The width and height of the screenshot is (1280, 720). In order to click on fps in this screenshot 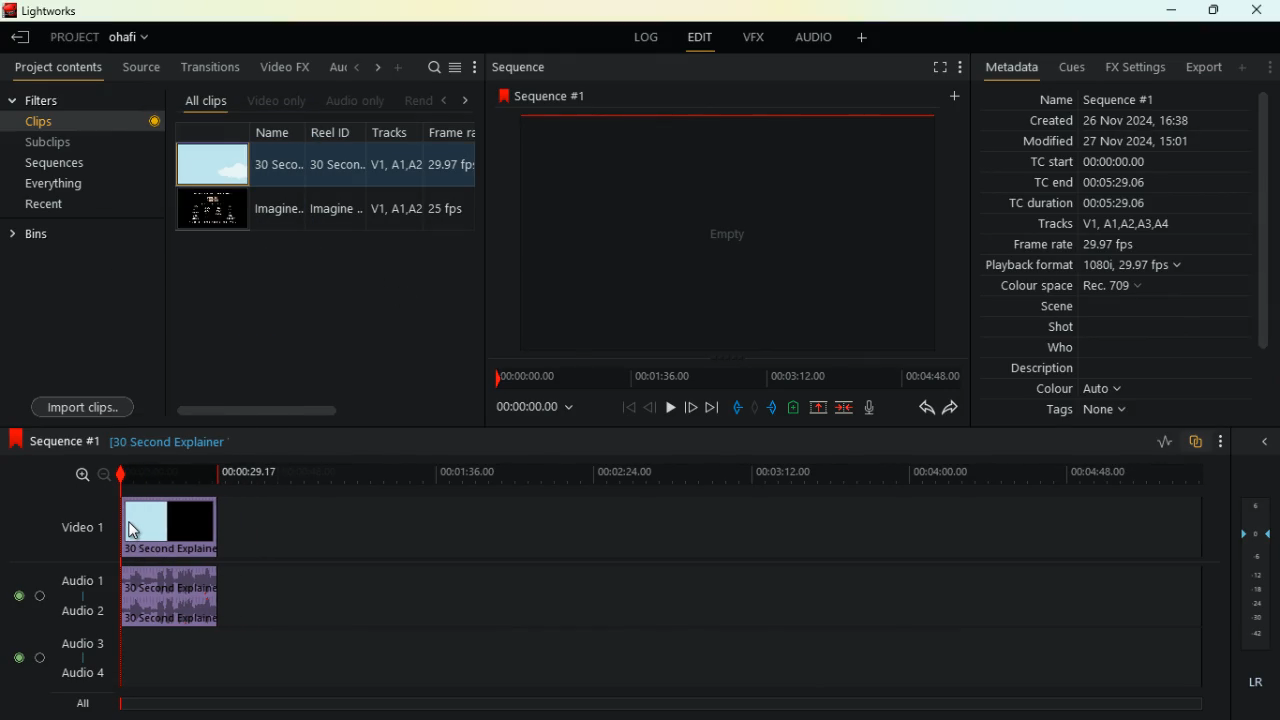, I will do `click(458, 176)`.